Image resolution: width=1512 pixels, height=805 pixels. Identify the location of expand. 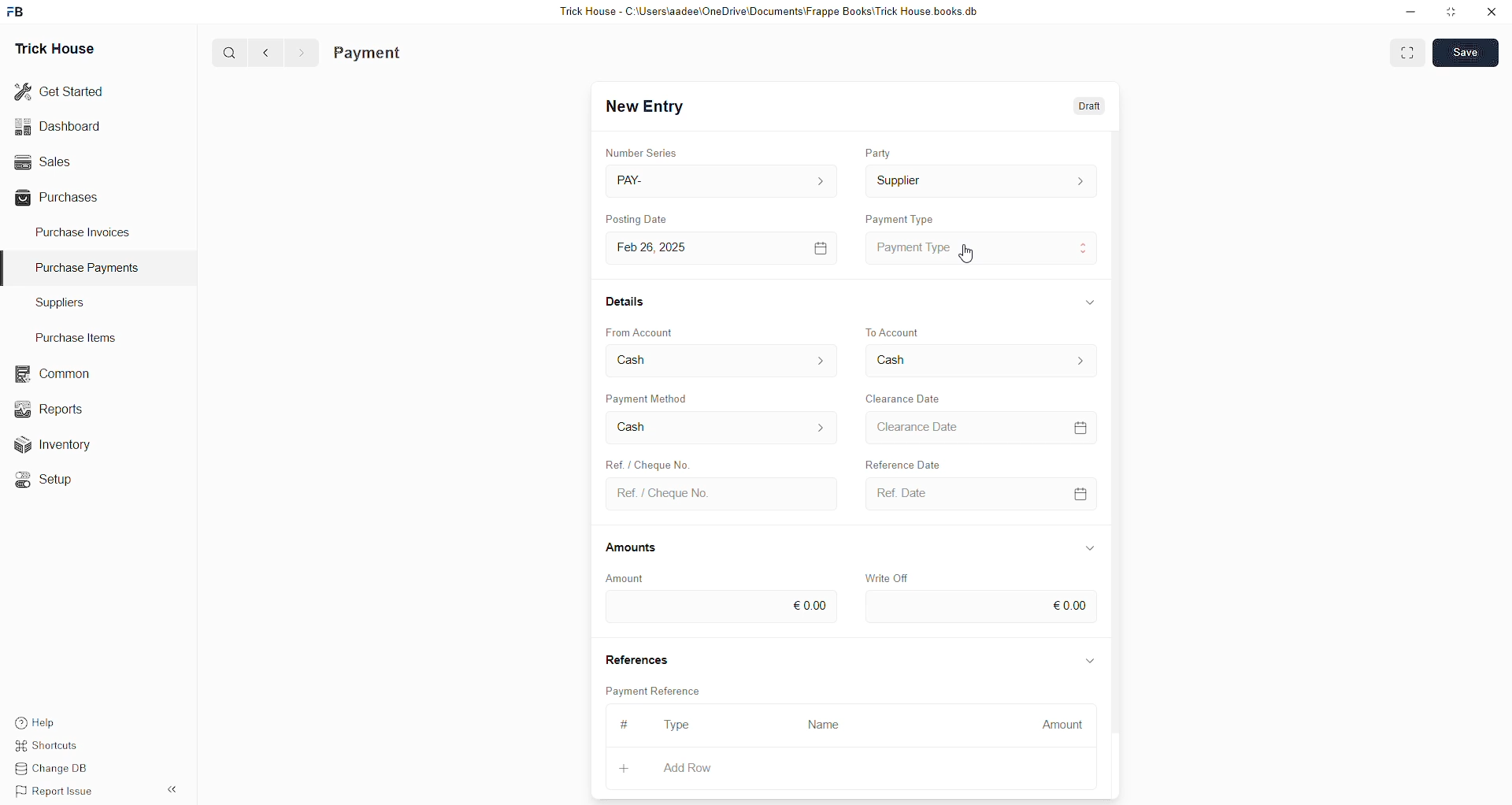
(1091, 546).